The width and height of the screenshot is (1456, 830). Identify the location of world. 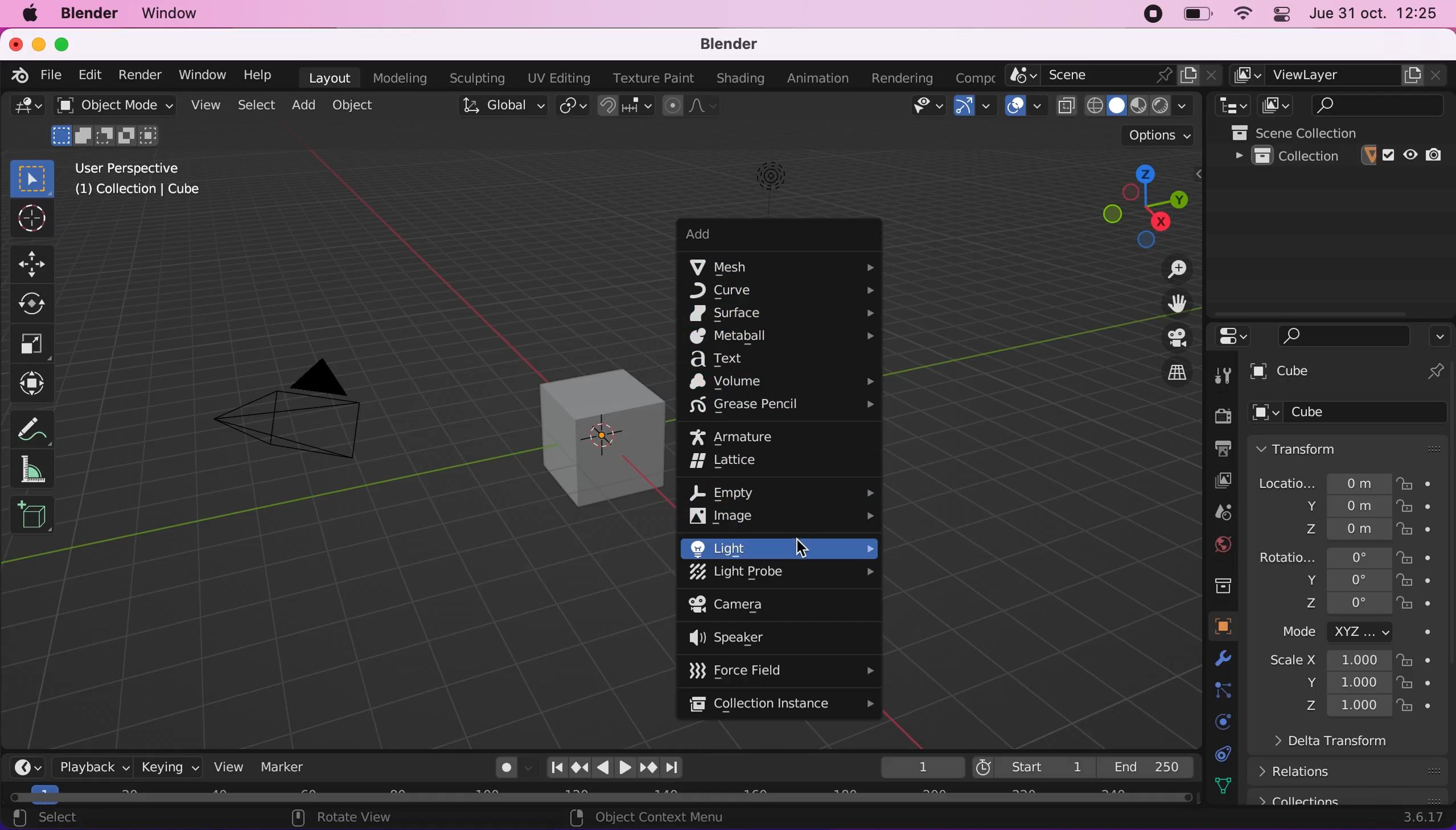
(1213, 545).